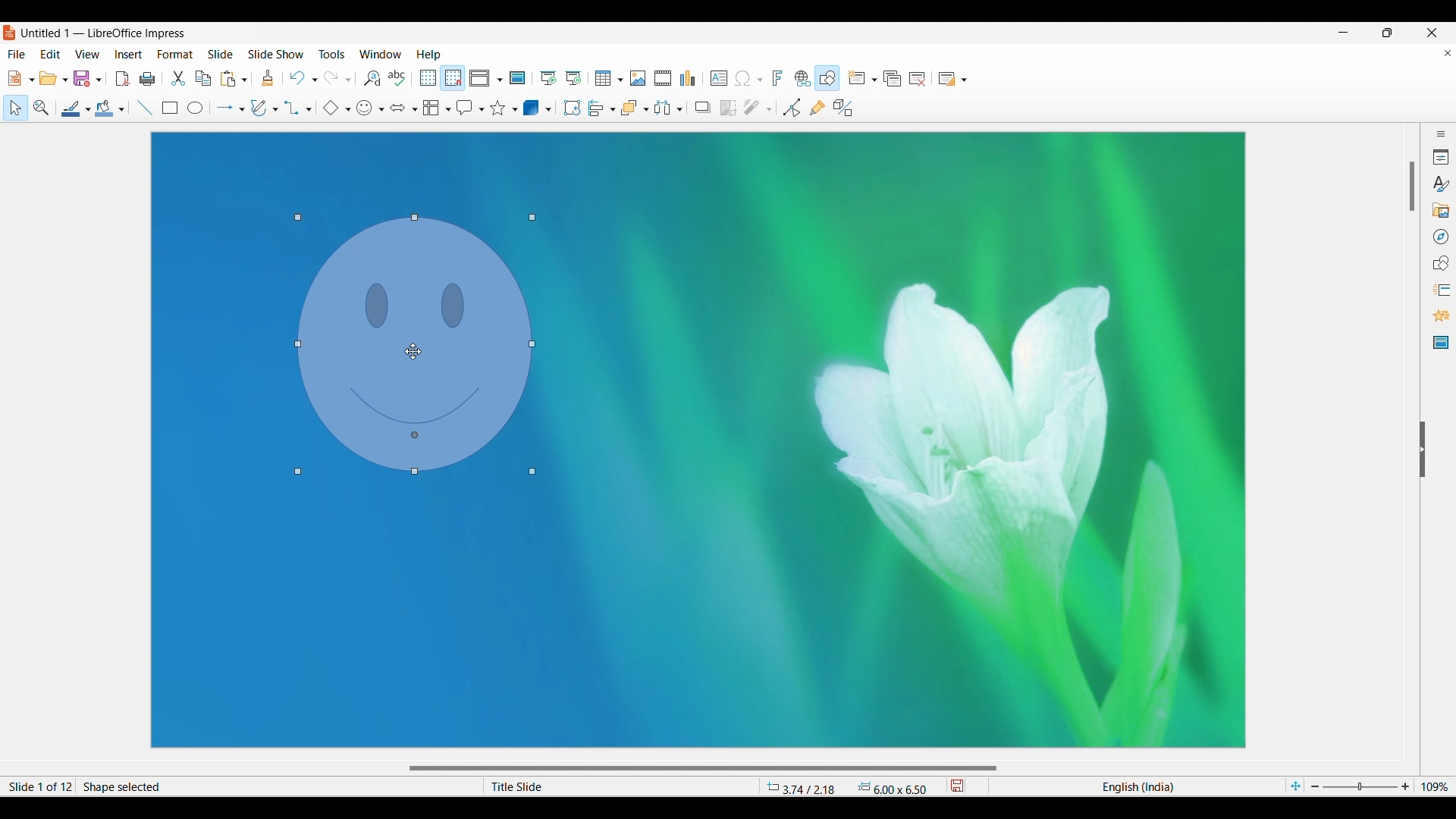 This screenshot has width=1456, height=819. I want to click on 6.00 x 6.50, so click(893, 787).